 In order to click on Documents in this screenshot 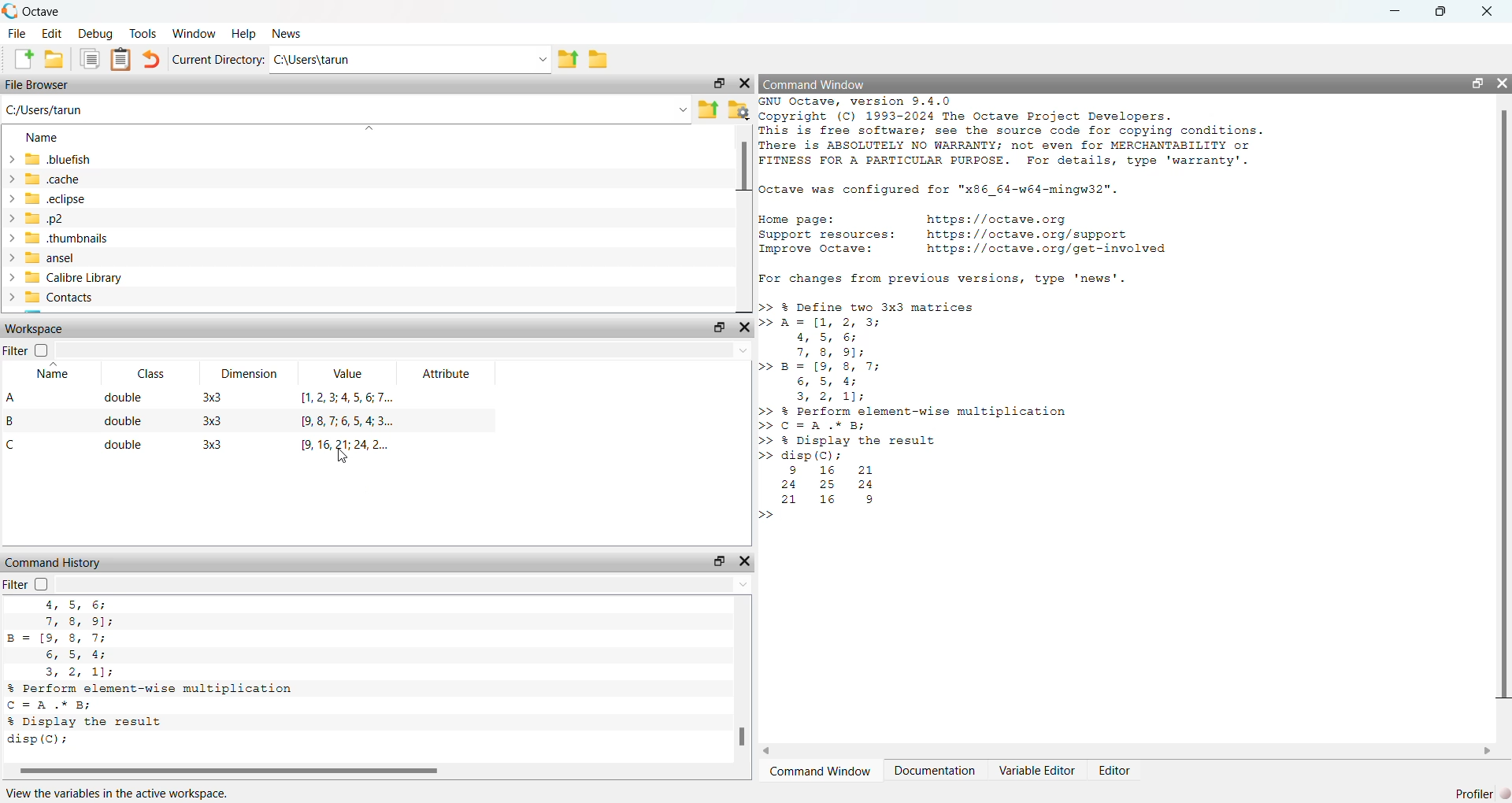, I will do `click(90, 58)`.